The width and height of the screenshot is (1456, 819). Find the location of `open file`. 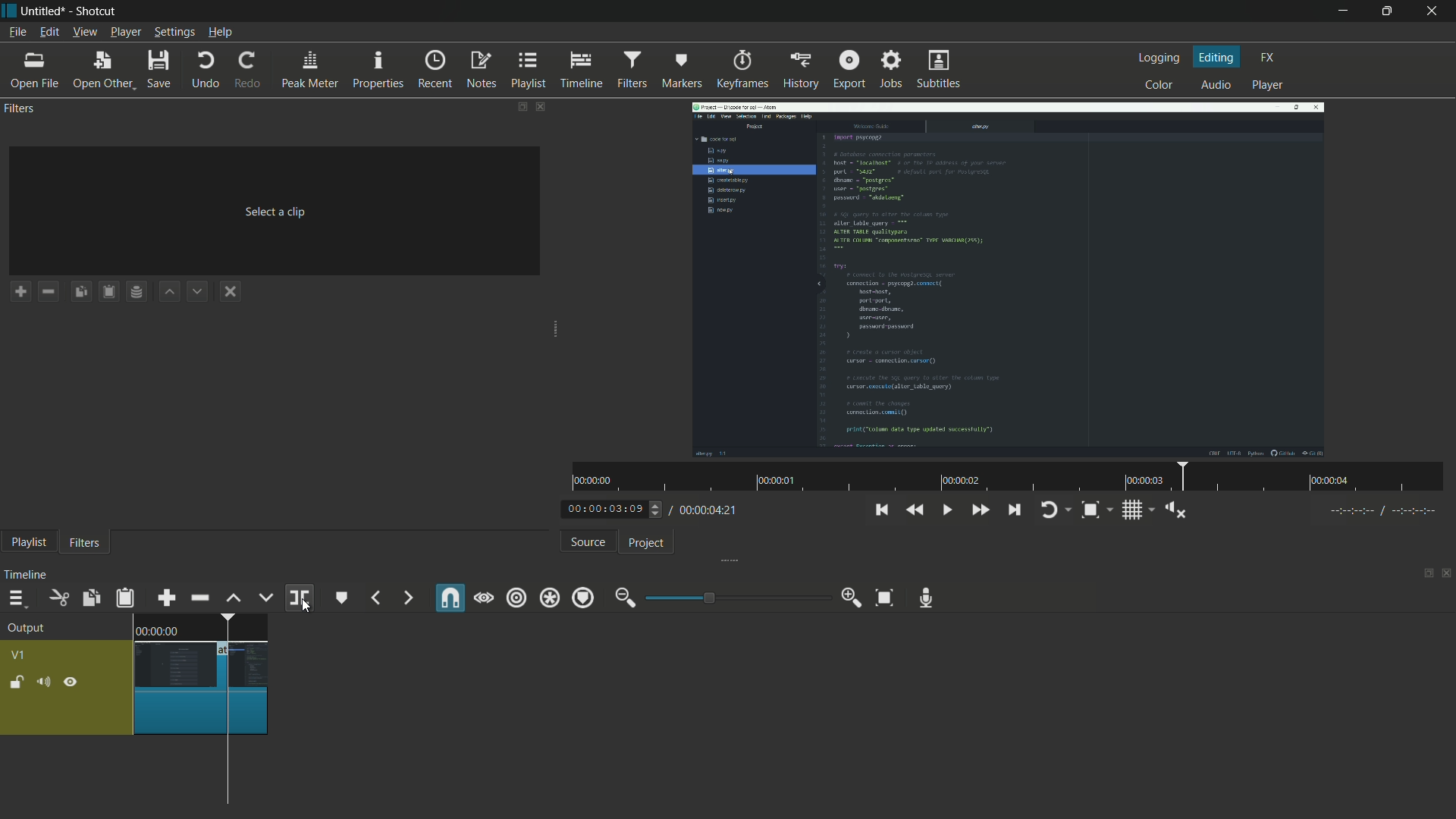

open file is located at coordinates (34, 71).